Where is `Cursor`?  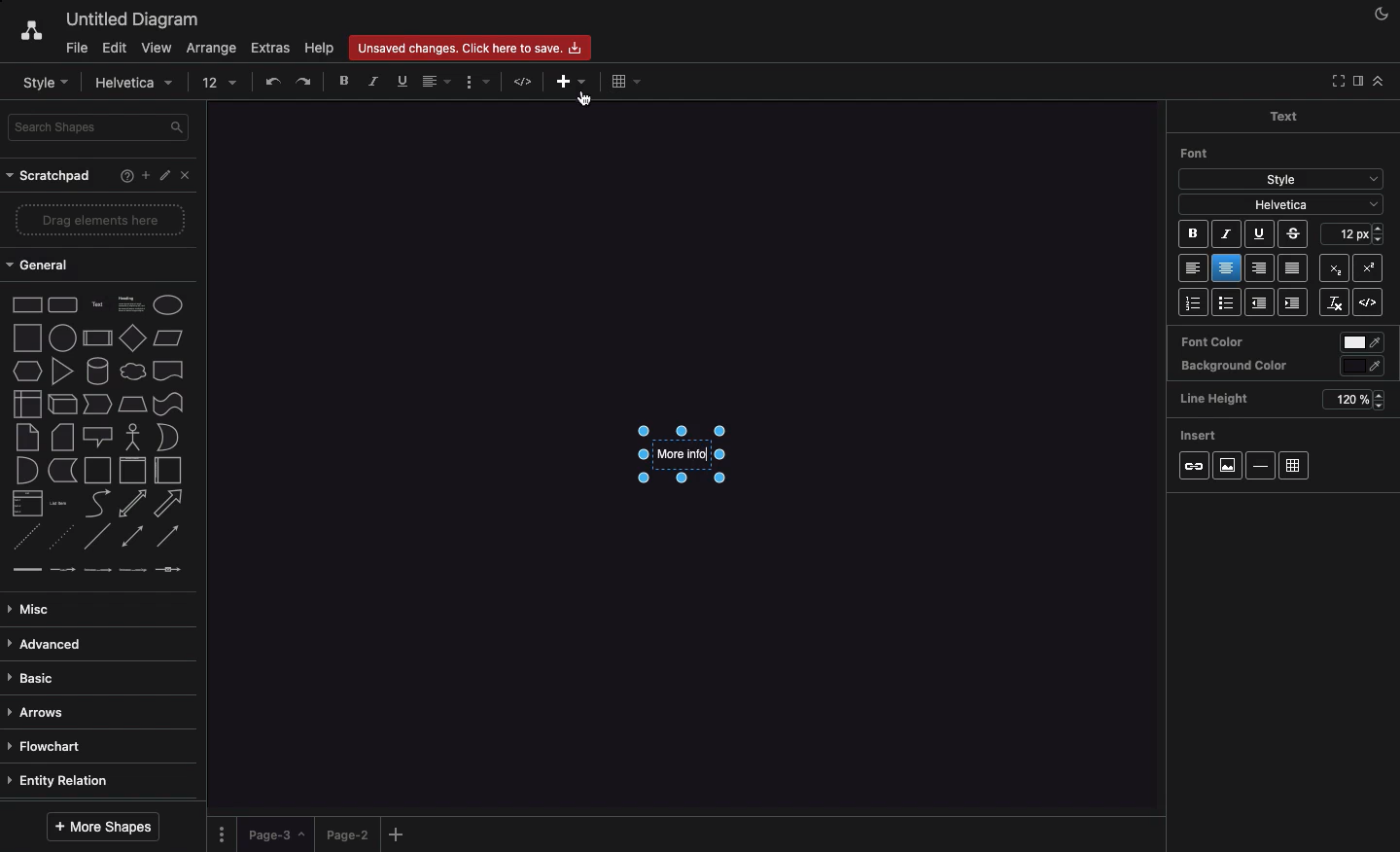 Cursor is located at coordinates (590, 97).